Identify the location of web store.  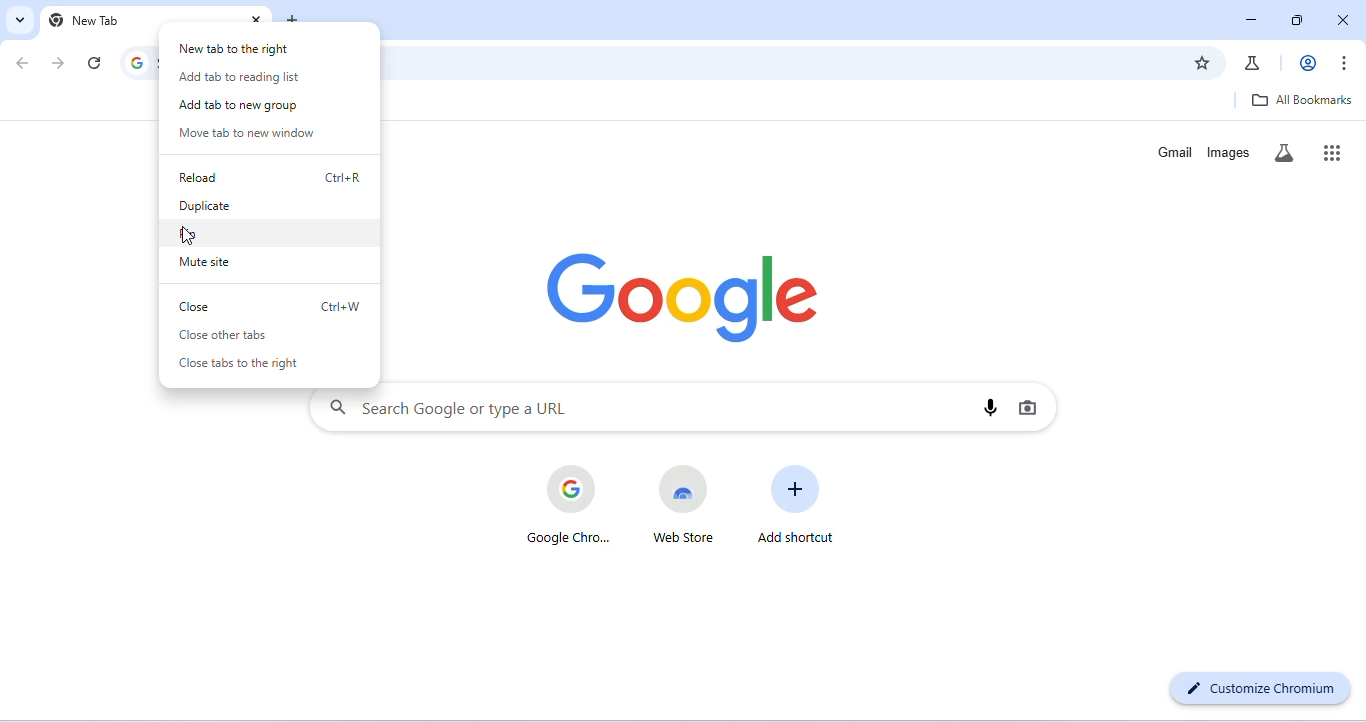
(682, 501).